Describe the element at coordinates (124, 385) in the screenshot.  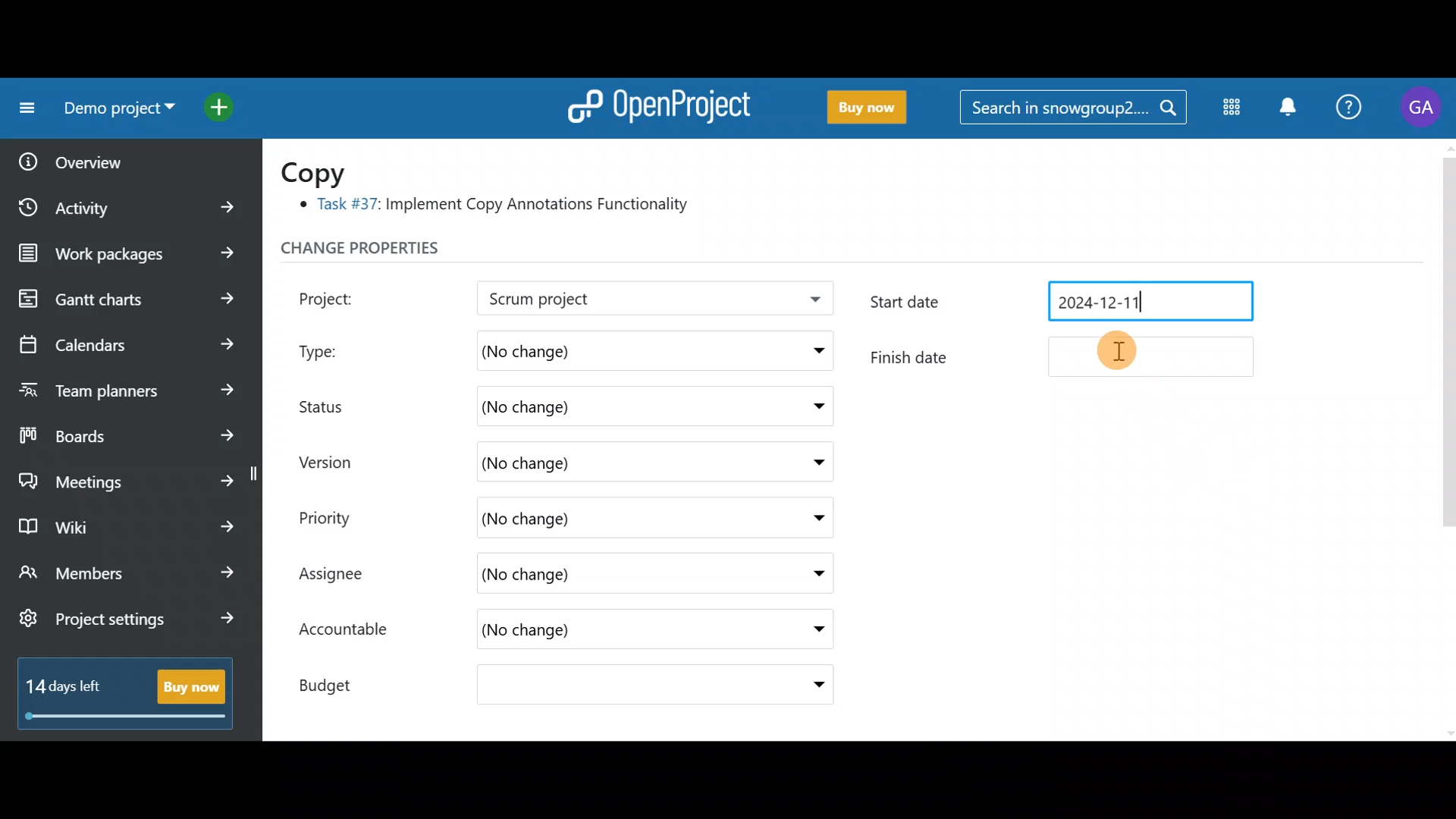
I see `Team planners` at that location.